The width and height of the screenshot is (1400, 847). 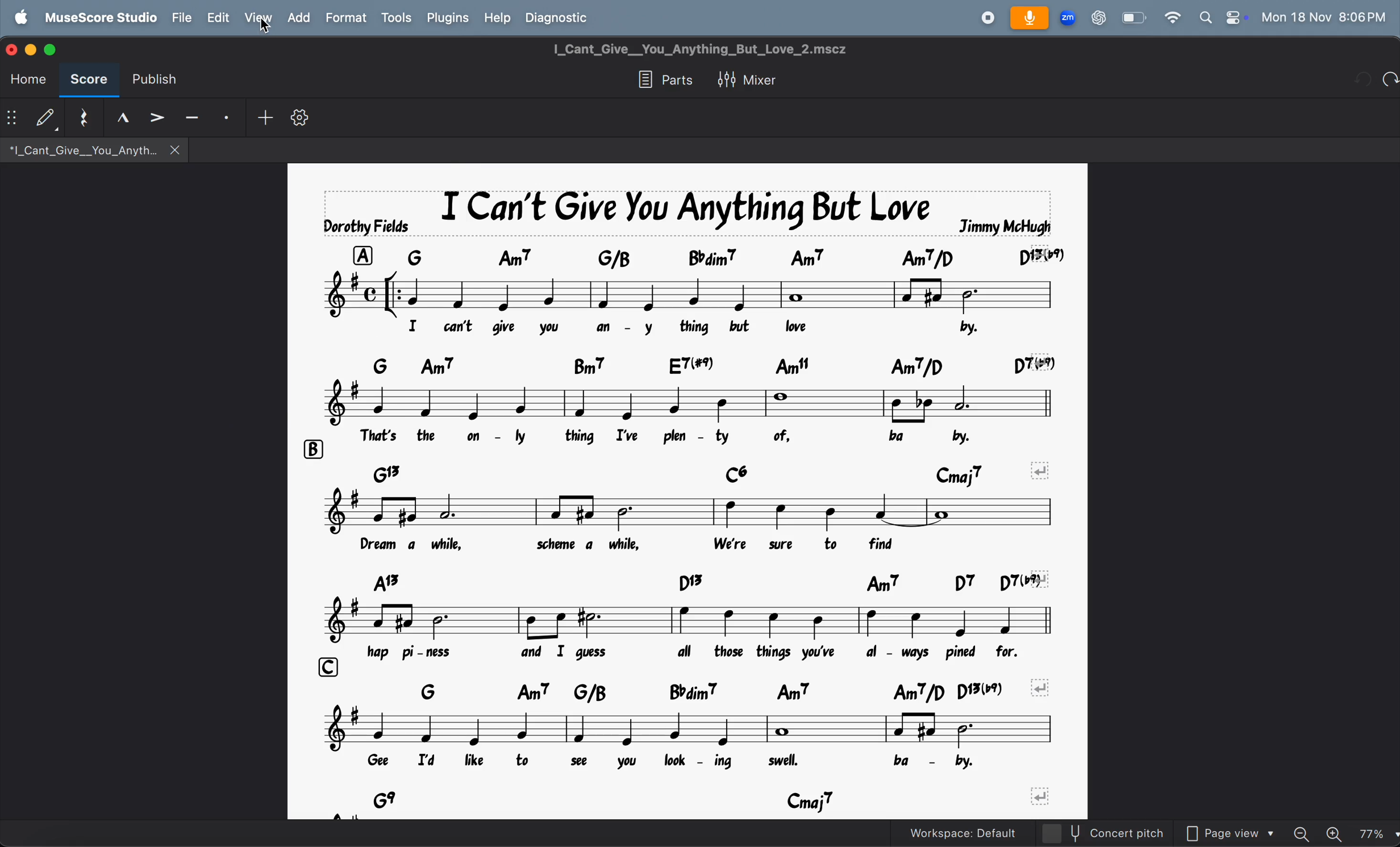 What do you see at coordinates (1390, 81) in the screenshot?
I see `undo` at bounding box center [1390, 81].